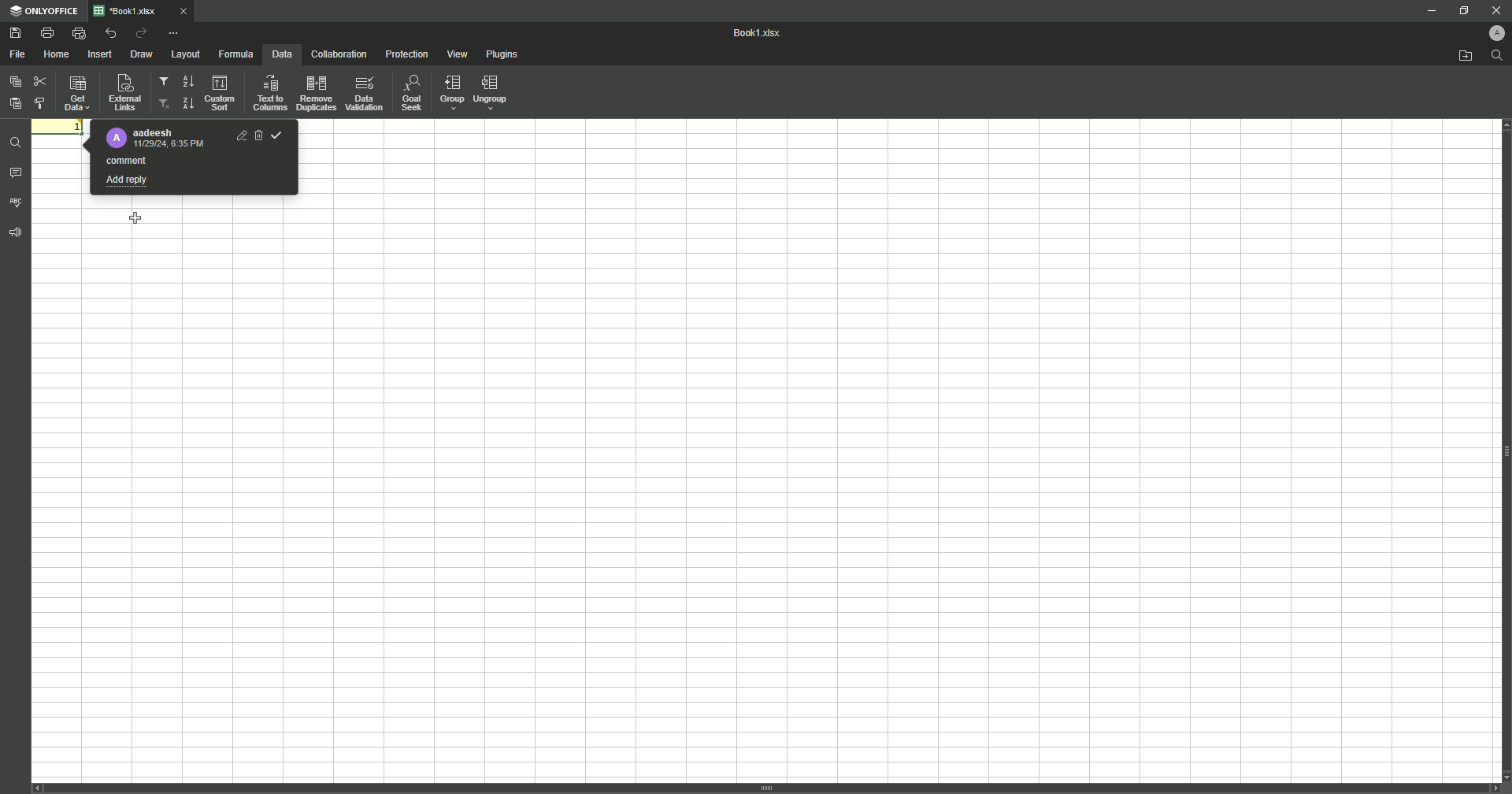 The width and height of the screenshot is (1512, 794). I want to click on Choose Styling, so click(43, 102).